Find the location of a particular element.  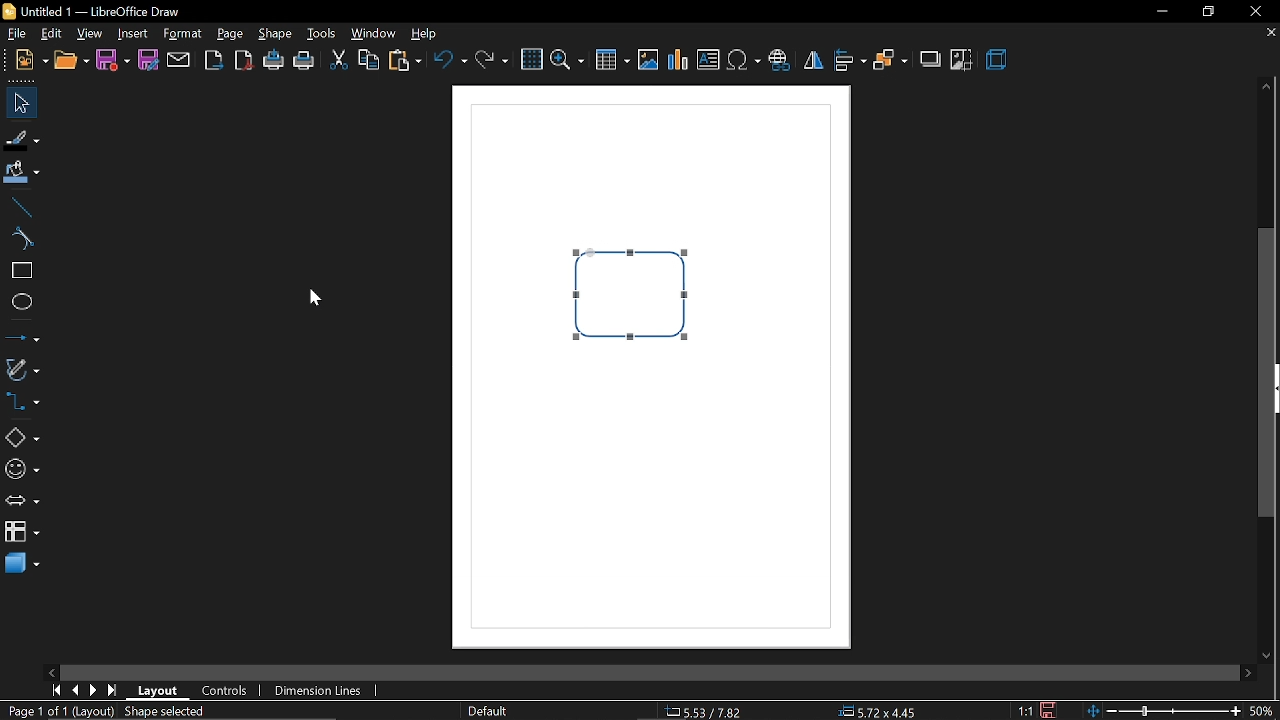

minimize is located at coordinates (1160, 12).